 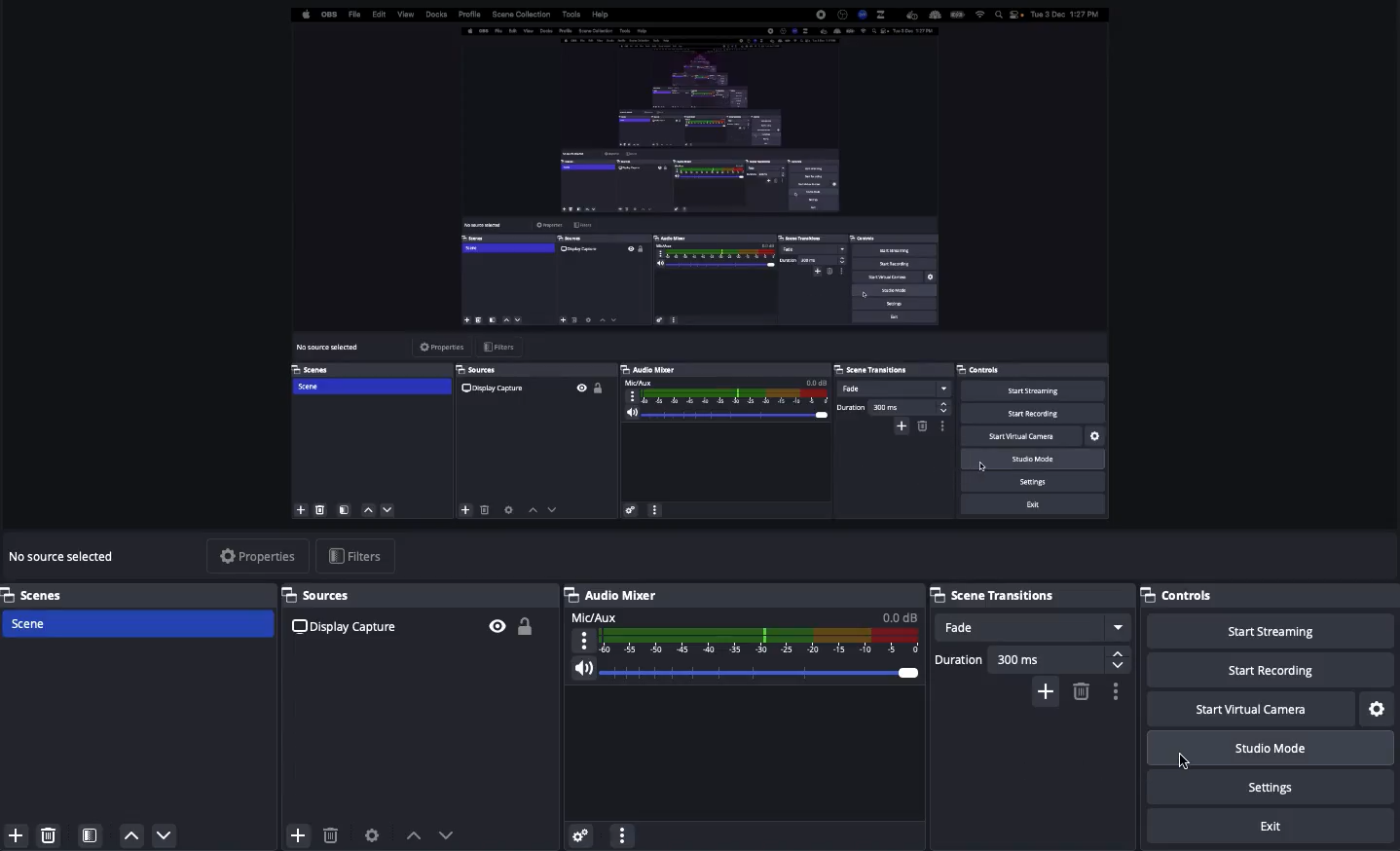 What do you see at coordinates (414, 835) in the screenshot?
I see `Move up` at bounding box center [414, 835].